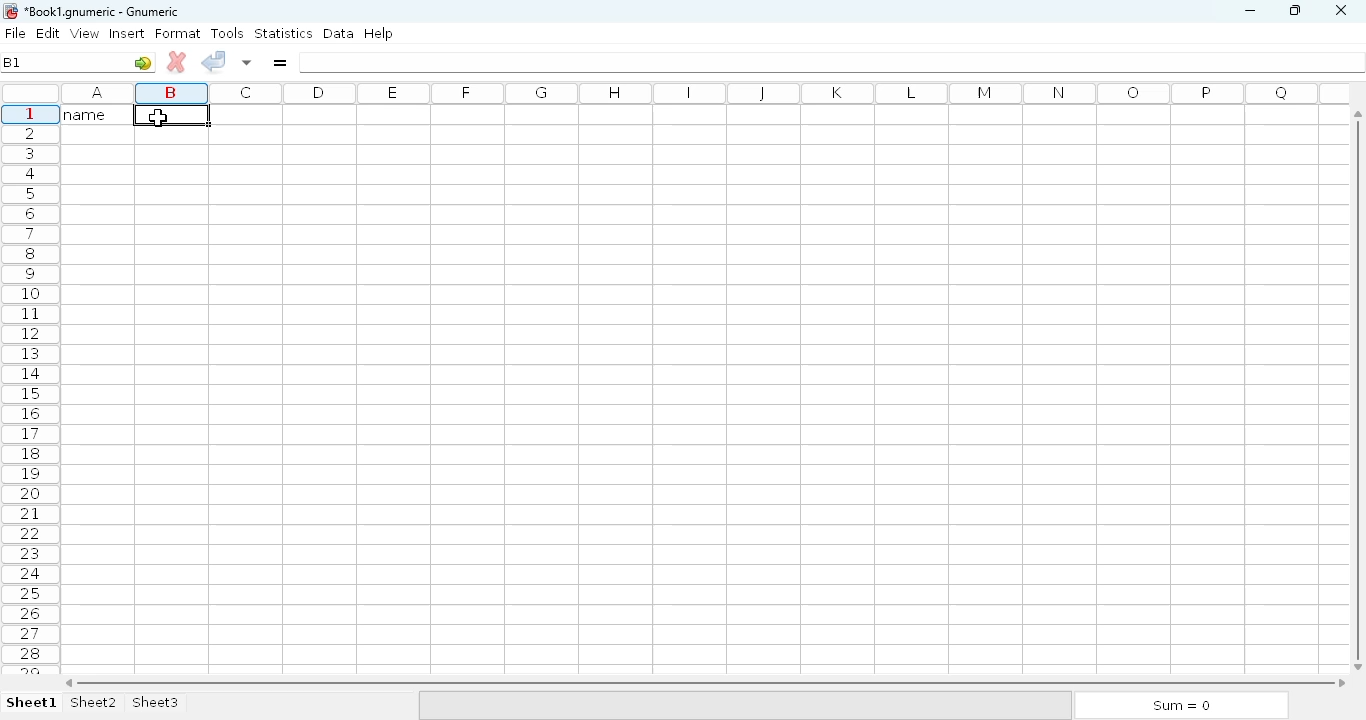 Image resolution: width=1366 pixels, height=720 pixels. I want to click on format, so click(178, 33).